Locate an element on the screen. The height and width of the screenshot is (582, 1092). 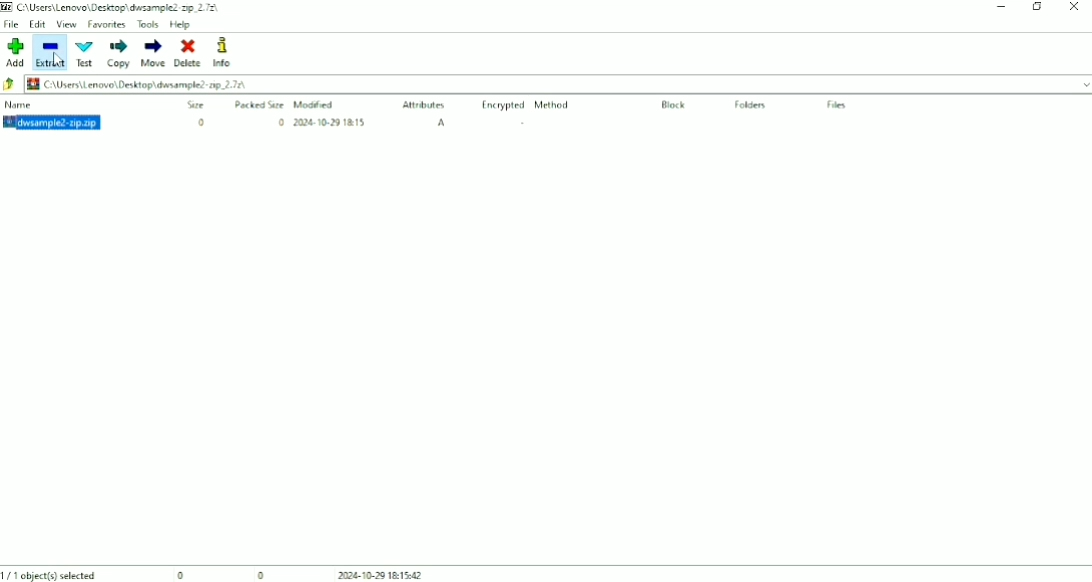
C:\Users\Lenovo\Desktop\dwsample2-zip_2.7z is located at coordinates (135, 84).